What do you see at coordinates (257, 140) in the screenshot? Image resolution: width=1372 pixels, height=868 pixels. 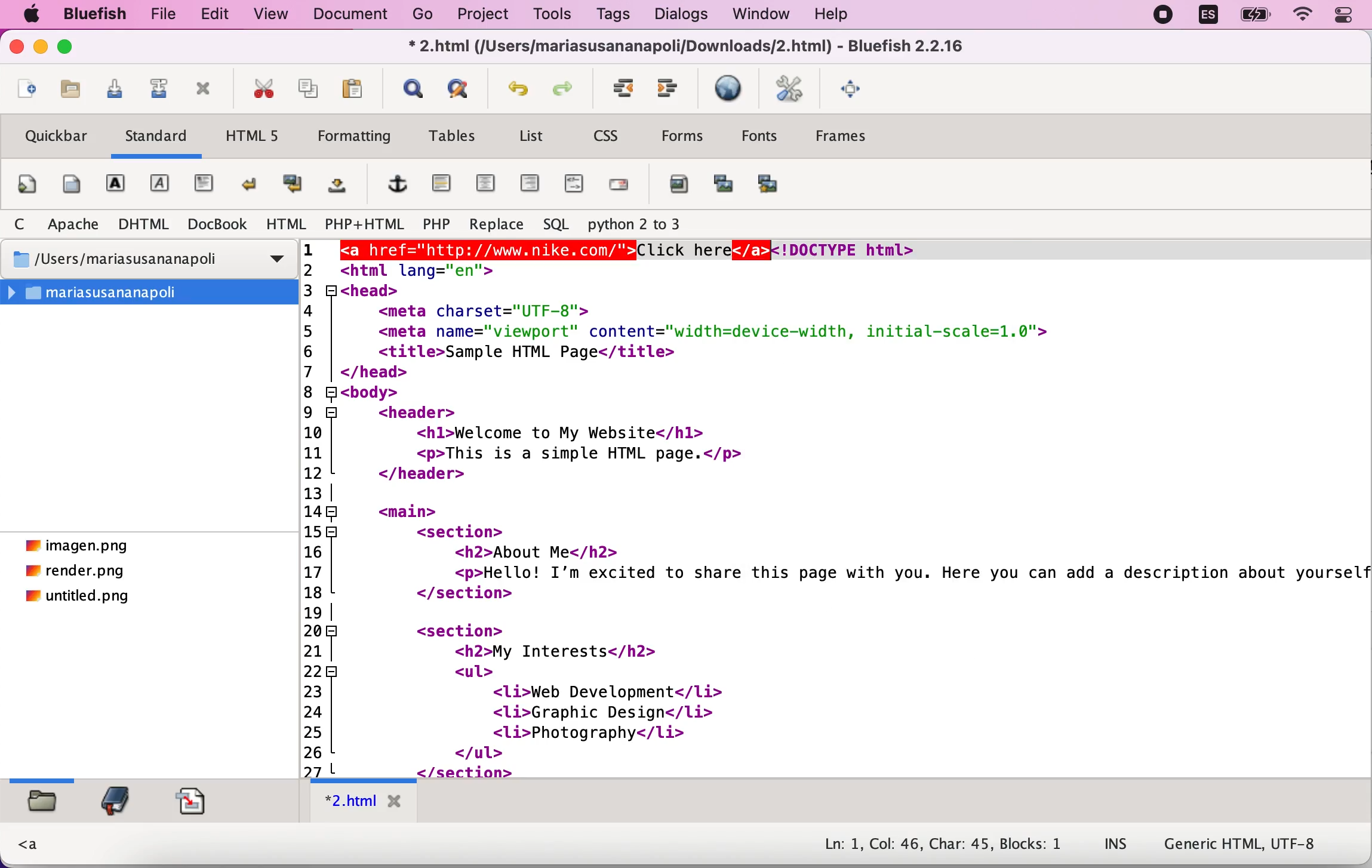 I see `html5` at bounding box center [257, 140].